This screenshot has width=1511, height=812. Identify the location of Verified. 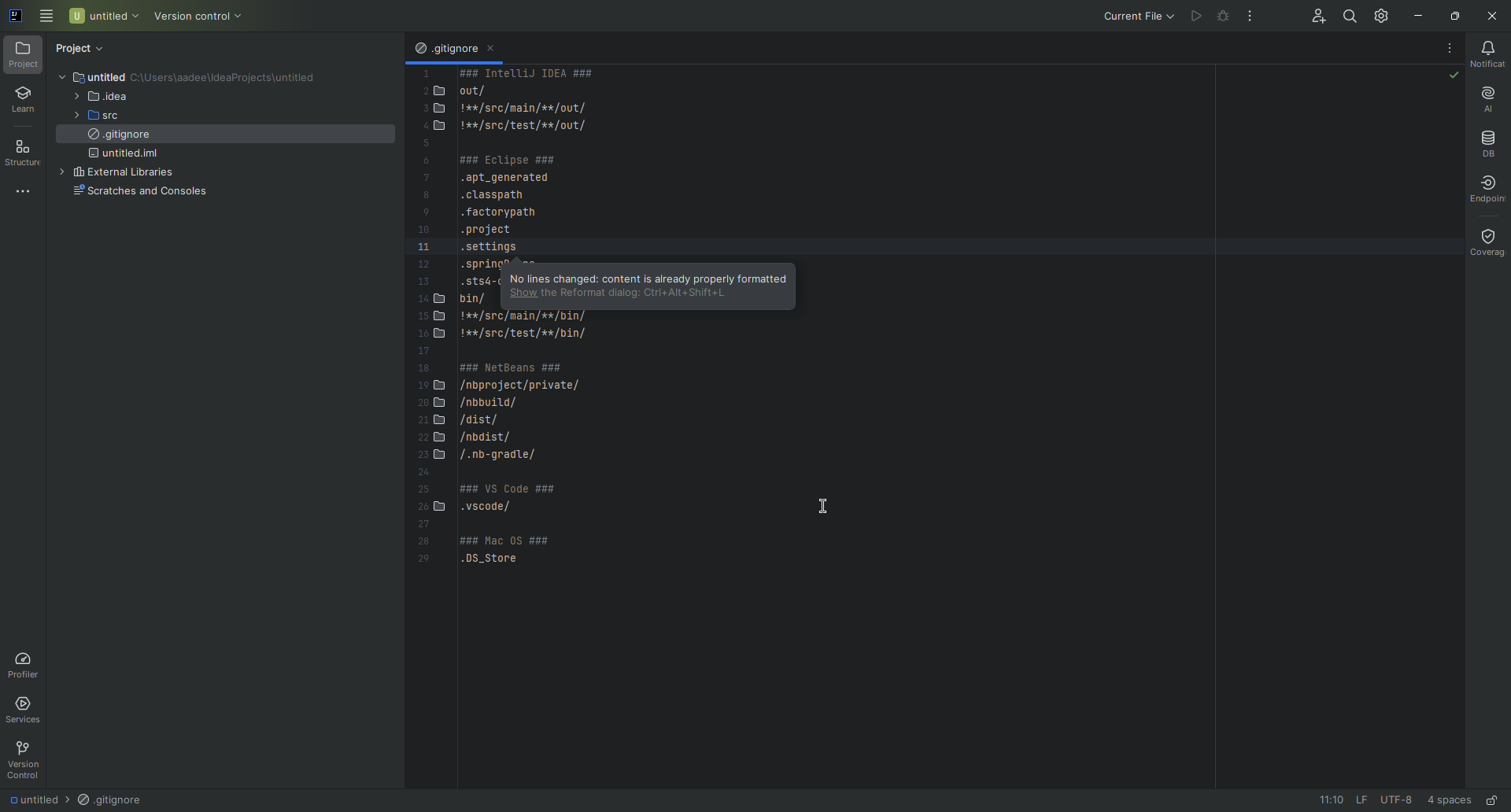
(1452, 76).